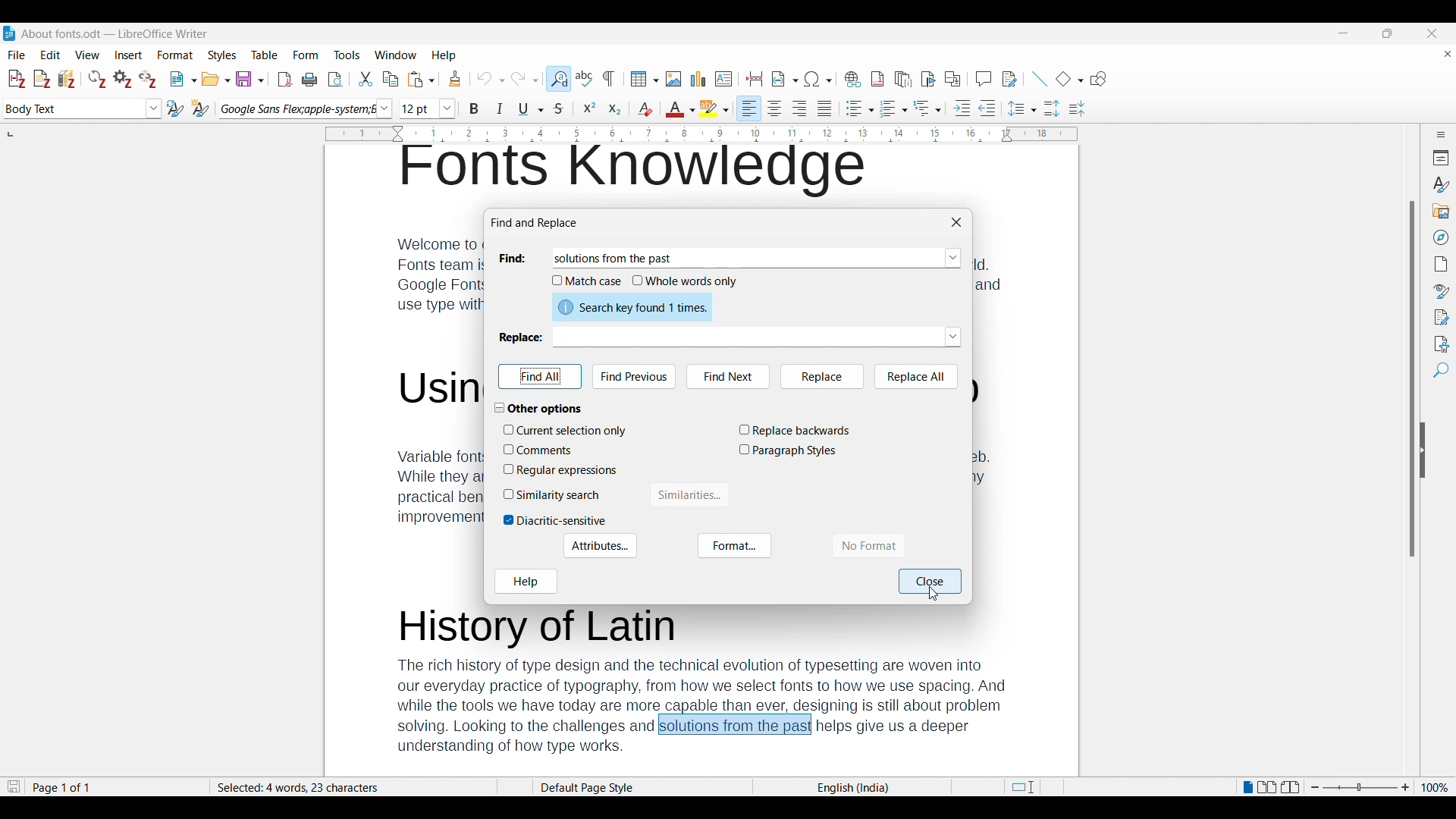  What do you see at coordinates (690, 494) in the screenshot?
I see `Similarities` at bounding box center [690, 494].